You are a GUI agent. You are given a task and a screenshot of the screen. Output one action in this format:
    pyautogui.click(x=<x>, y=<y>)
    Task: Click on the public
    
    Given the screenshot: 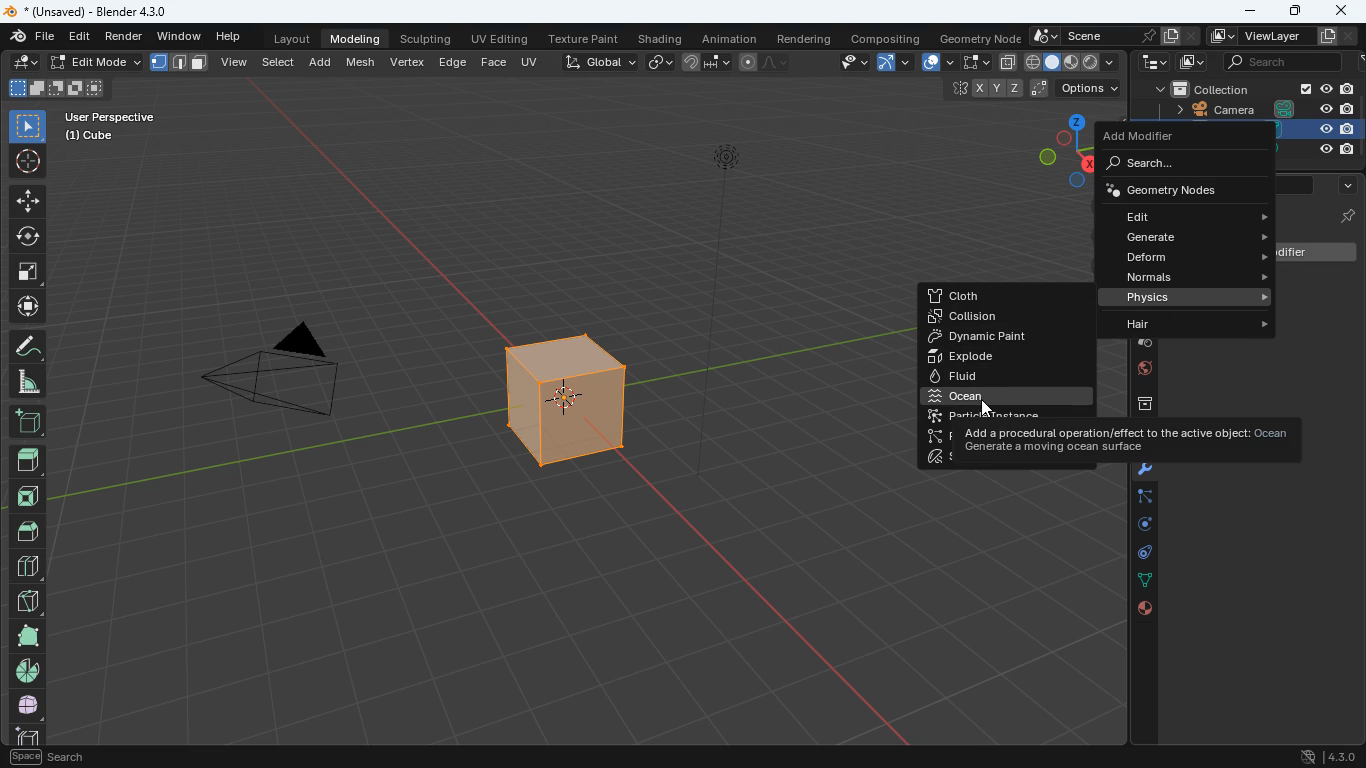 What is the action you would take?
    pyautogui.click(x=1145, y=609)
    